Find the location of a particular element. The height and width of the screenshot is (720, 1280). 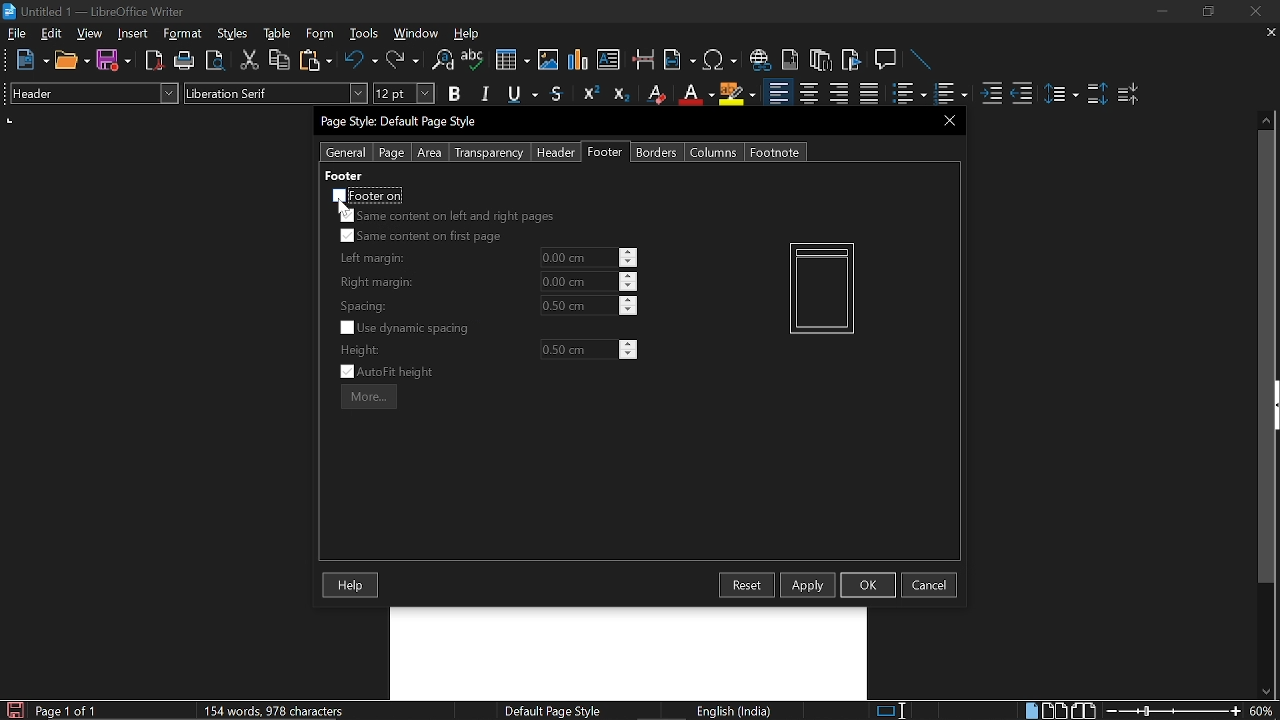

view is located at coordinates (90, 33).